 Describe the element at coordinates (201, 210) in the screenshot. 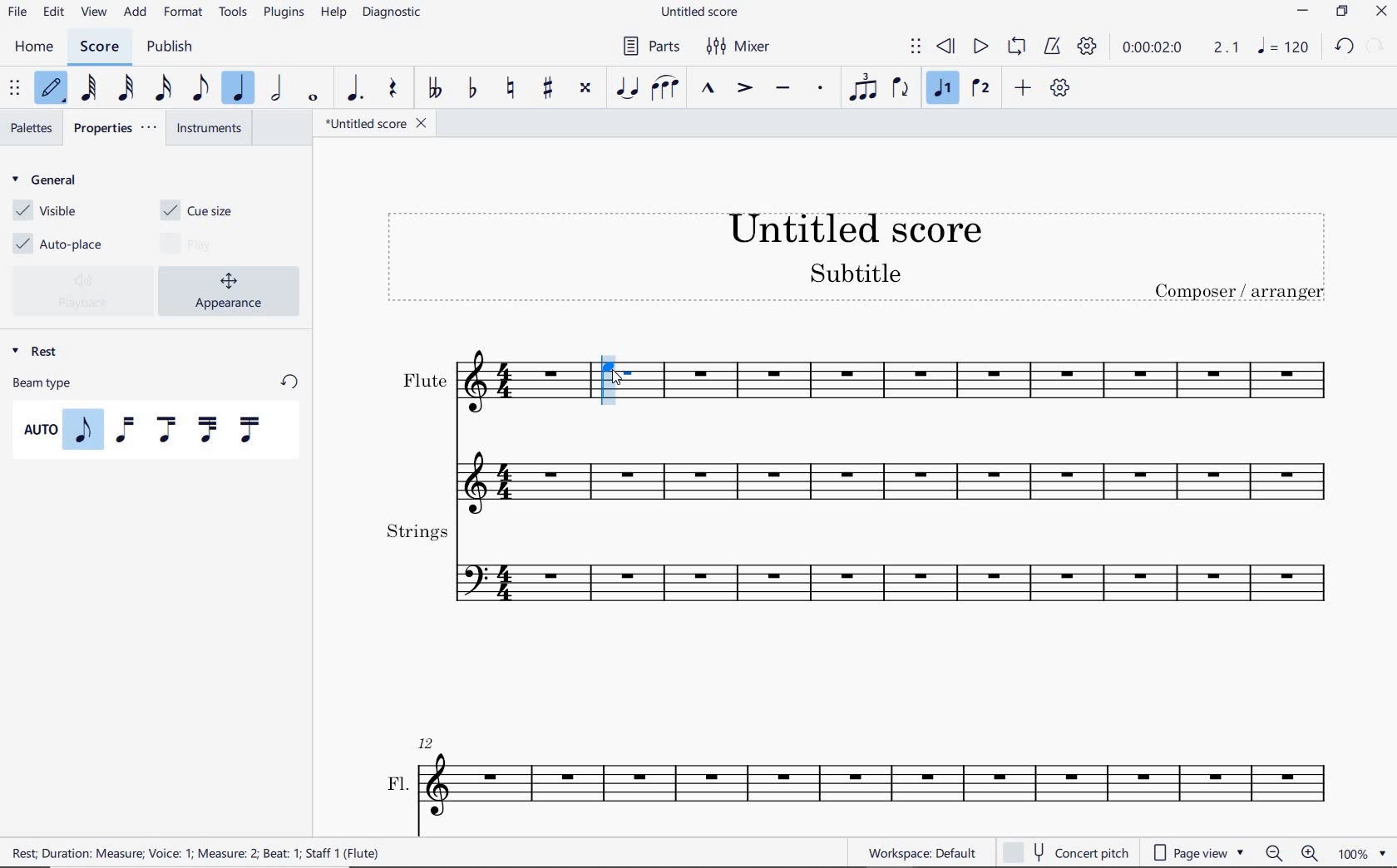

I see `CUE SIZE` at that location.